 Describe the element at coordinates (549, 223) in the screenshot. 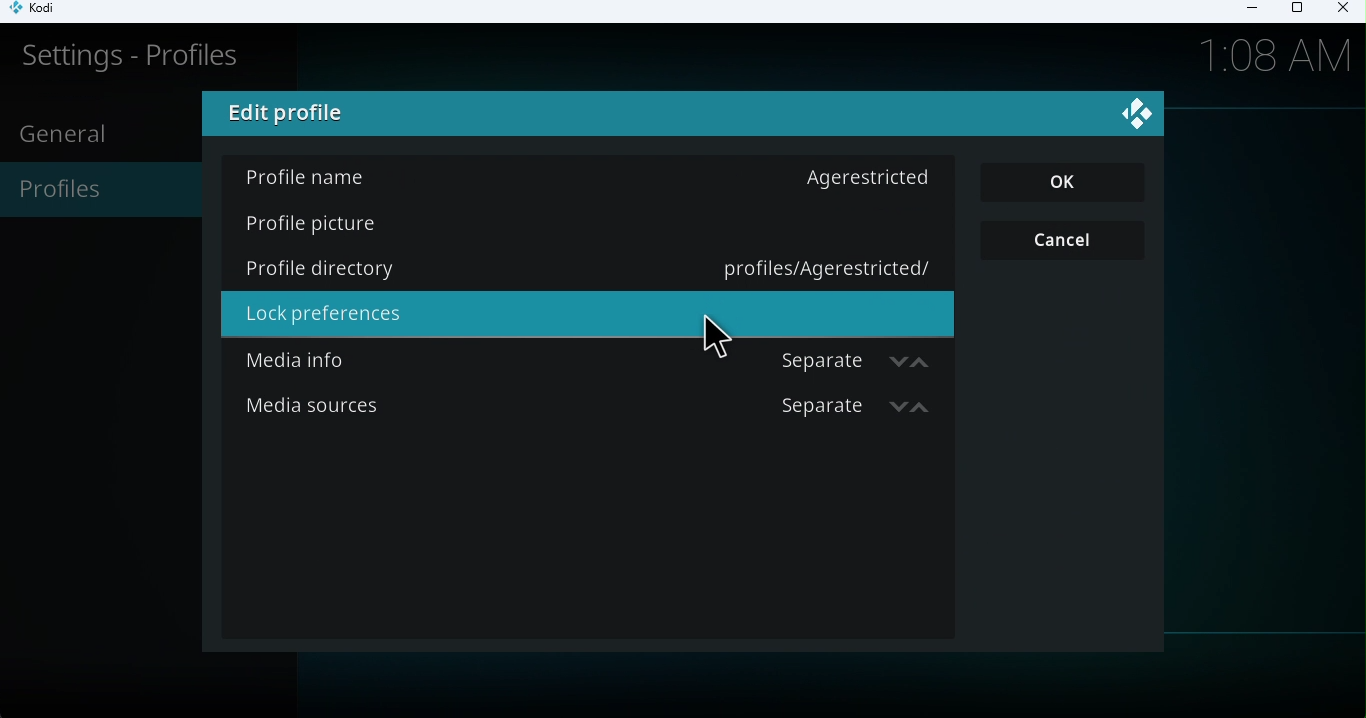

I see `Profile picture` at that location.